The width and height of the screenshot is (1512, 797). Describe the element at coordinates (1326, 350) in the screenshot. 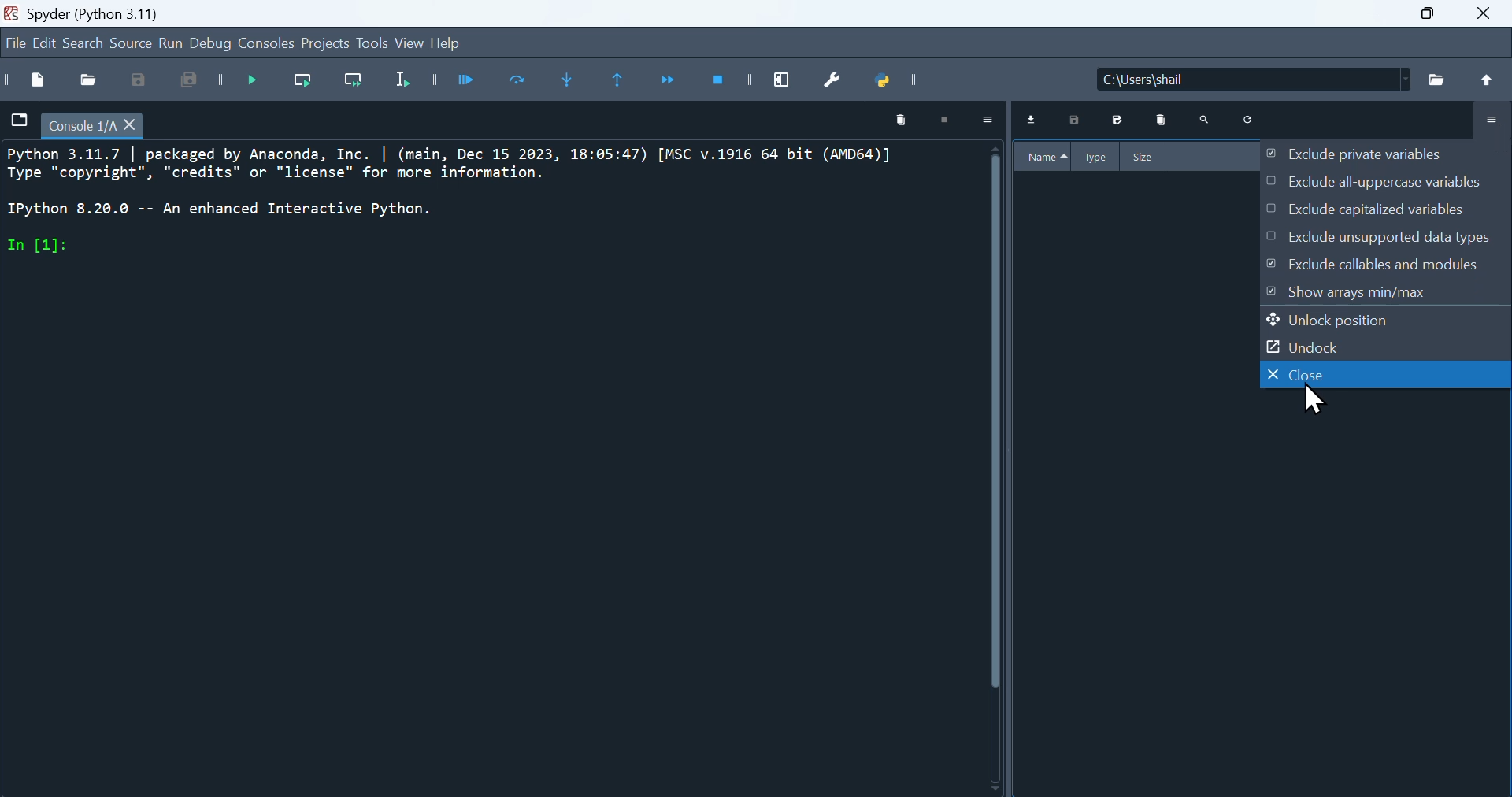

I see `Undock` at that location.